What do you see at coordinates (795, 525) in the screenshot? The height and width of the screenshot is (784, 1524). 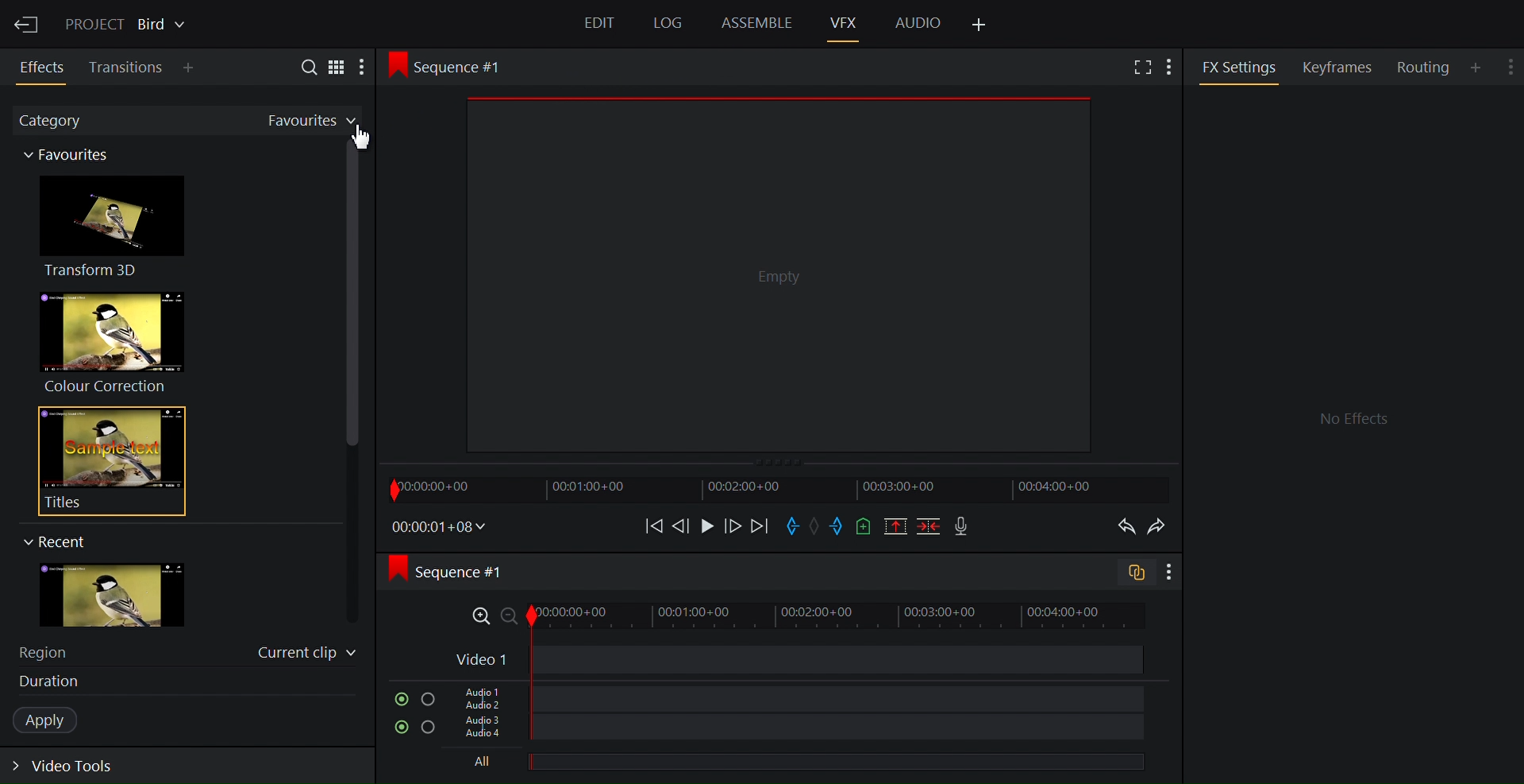 I see `Mark in` at bounding box center [795, 525].